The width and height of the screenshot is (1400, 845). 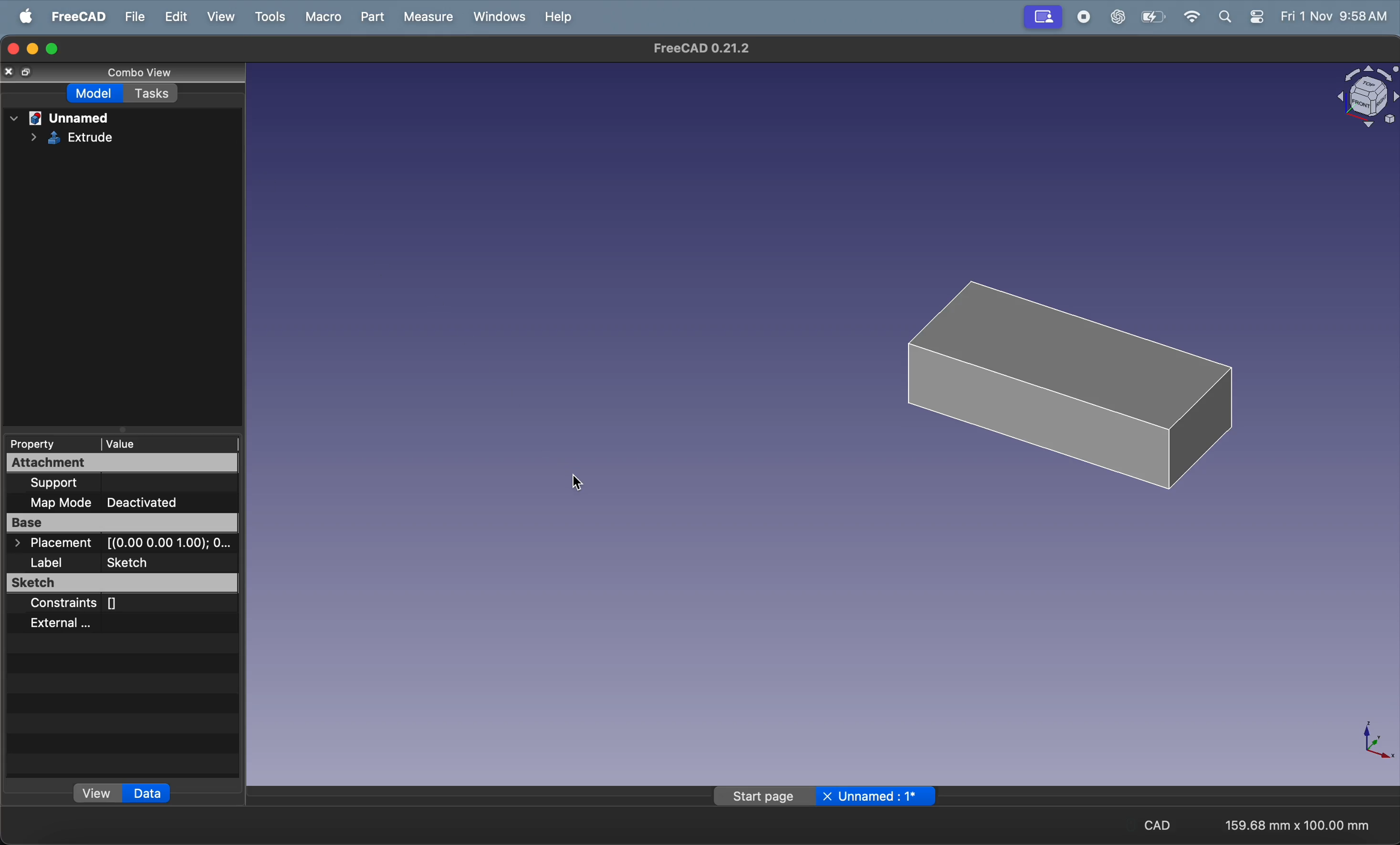 What do you see at coordinates (559, 20) in the screenshot?
I see `help` at bounding box center [559, 20].